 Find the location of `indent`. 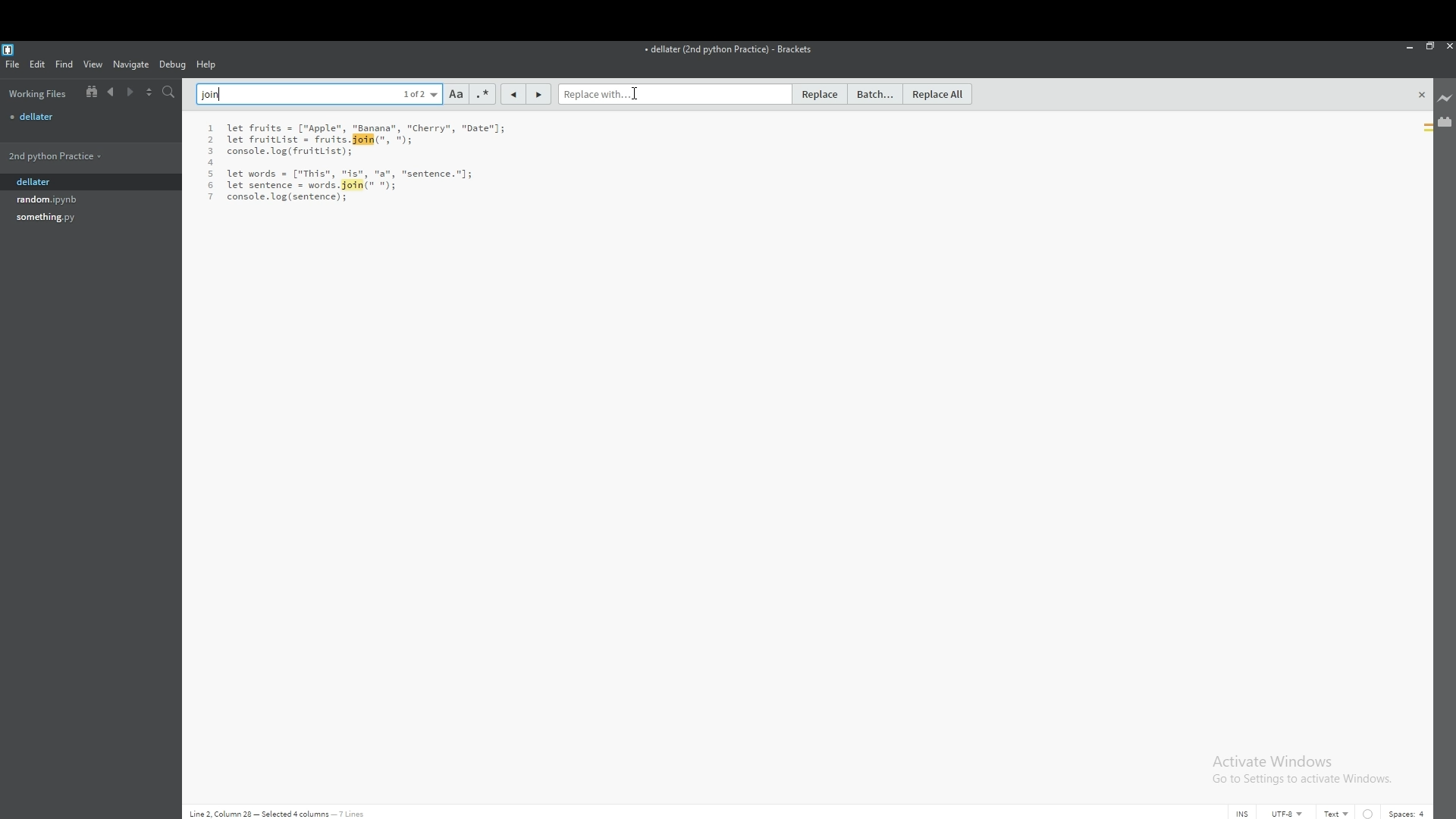

indent is located at coordinates (1368, 813).